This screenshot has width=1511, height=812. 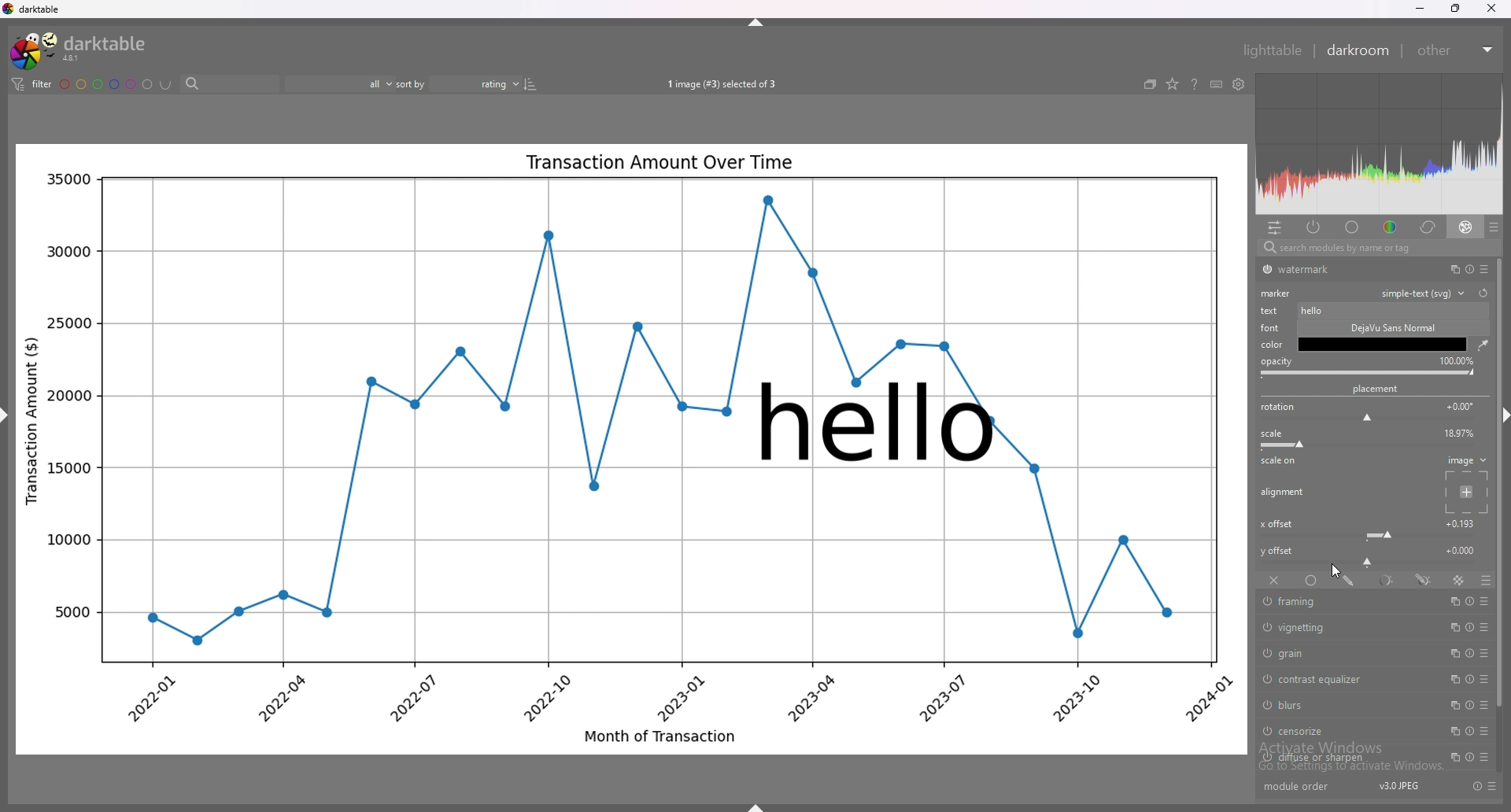 What do you see at coordinates (1374, 249) in the screenshot?
I see `search bar` at bounding box center [1374, 249].